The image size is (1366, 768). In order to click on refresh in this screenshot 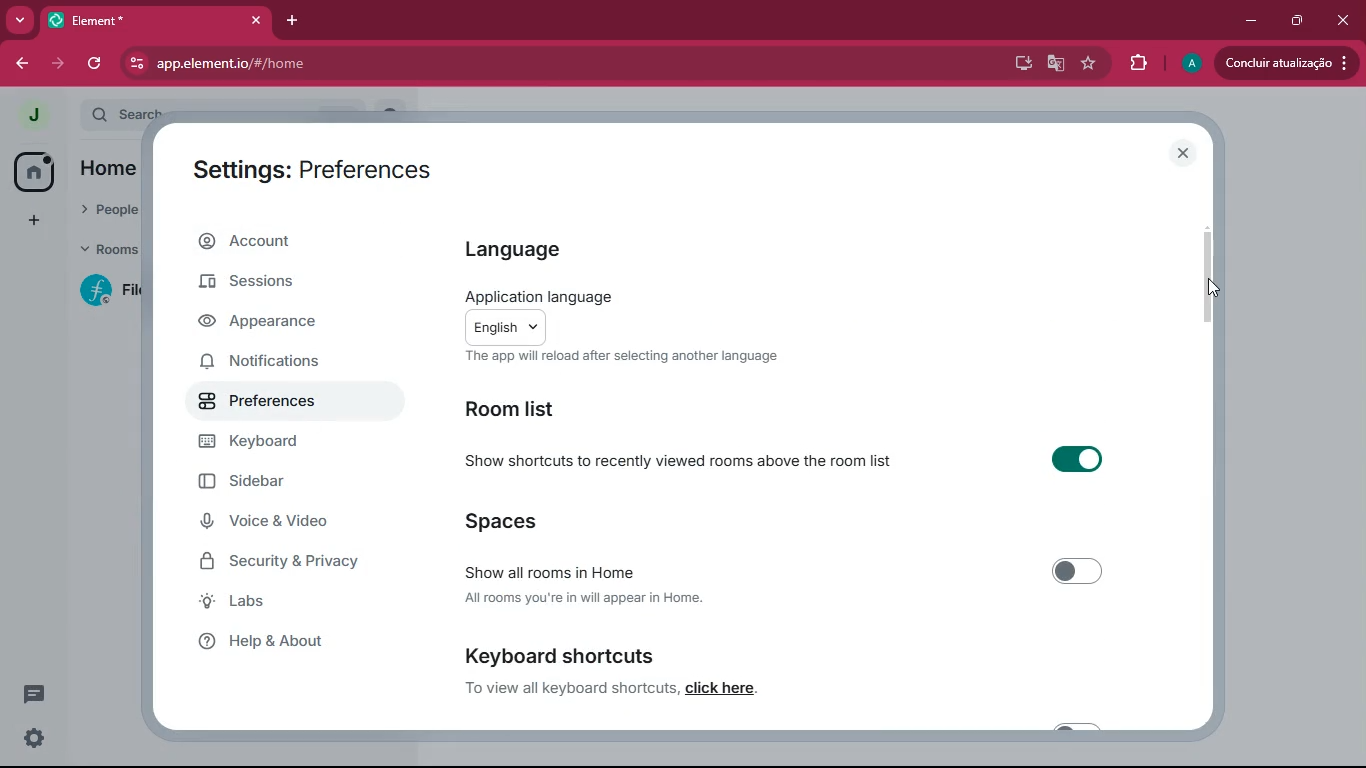, I will do `click(92, 65)`.